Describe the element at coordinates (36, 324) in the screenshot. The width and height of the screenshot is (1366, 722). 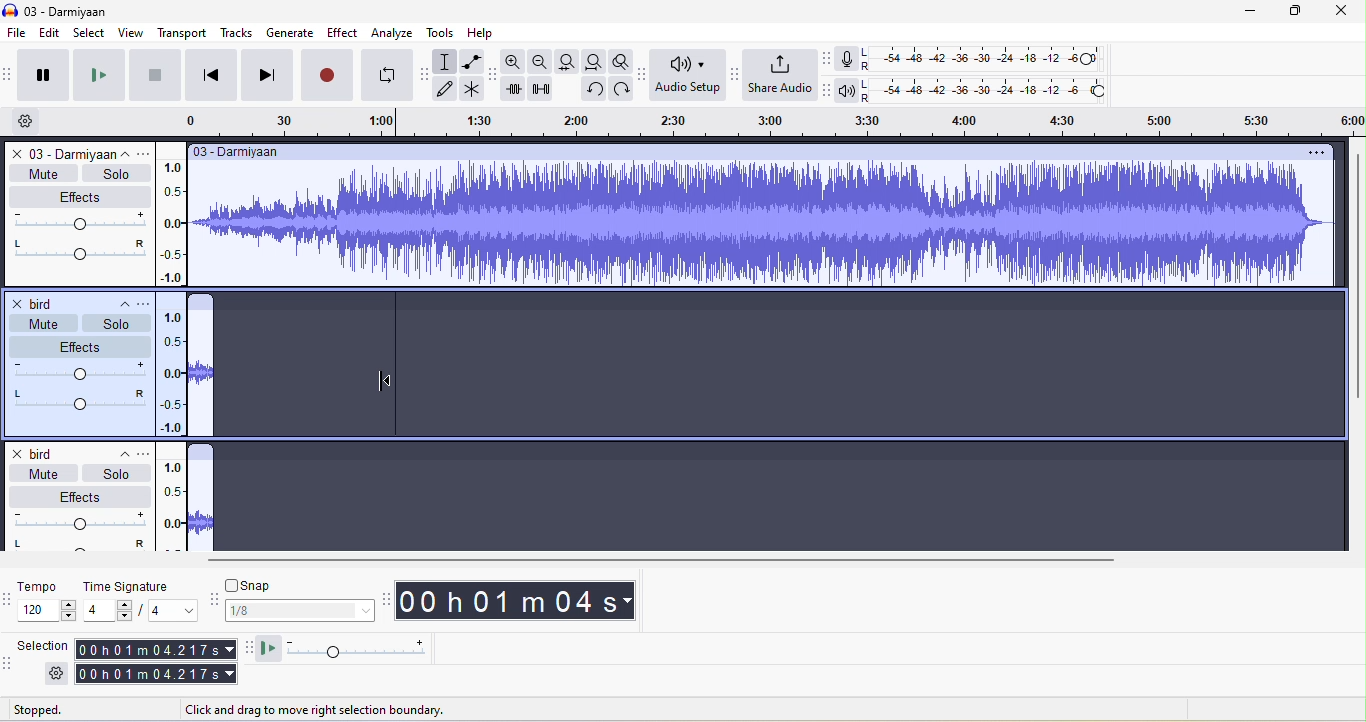
I see `mute` at that location.